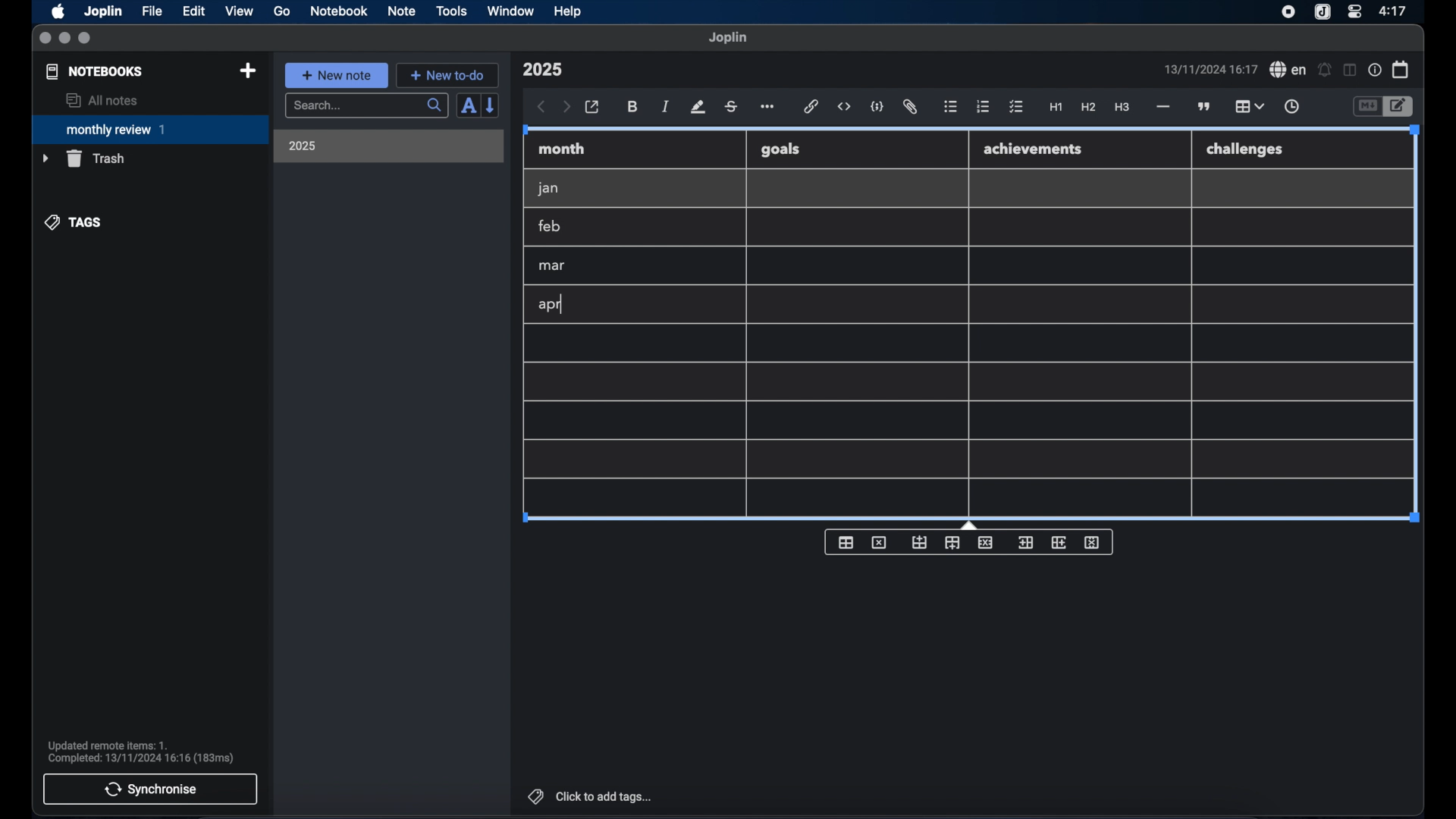 The image size is (1456, 819). Describe the element at coordinates (247, 71) in the screenshot. I see `new notebook` at that location.